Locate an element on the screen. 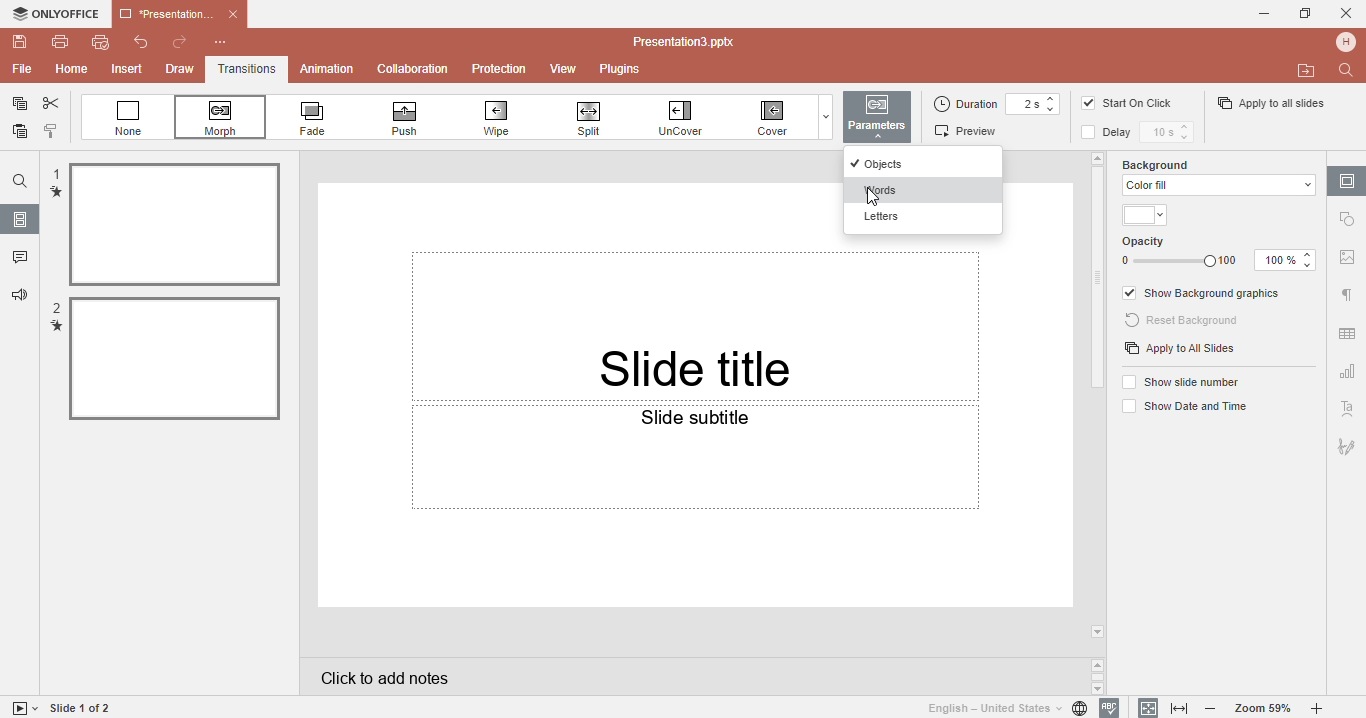  Find is located at coordinates (19, 181).